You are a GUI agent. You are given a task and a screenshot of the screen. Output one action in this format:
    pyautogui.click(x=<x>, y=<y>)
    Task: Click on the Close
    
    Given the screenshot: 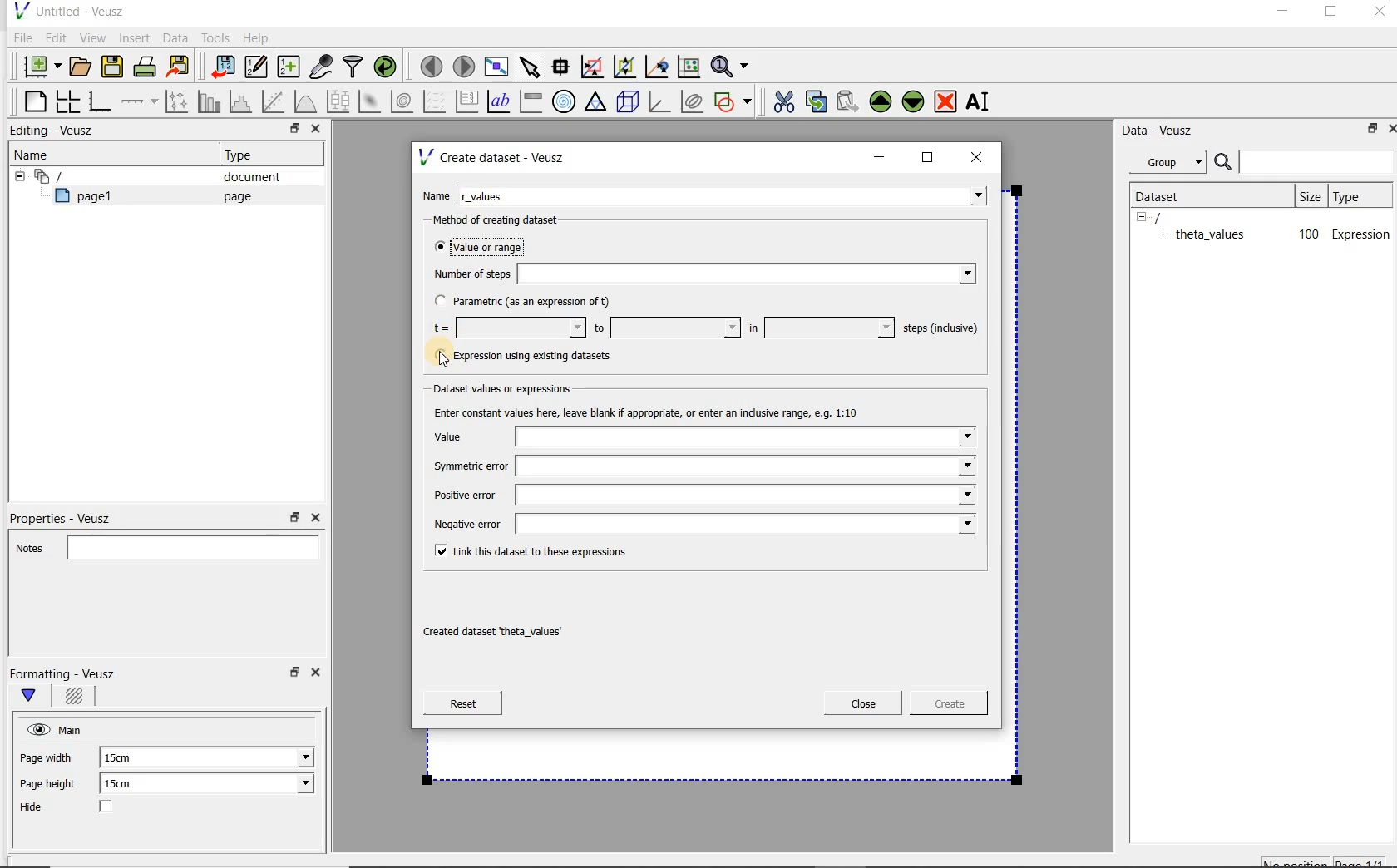 What is the action you would take?
    pyautogui.click(x=314, y=518)
    